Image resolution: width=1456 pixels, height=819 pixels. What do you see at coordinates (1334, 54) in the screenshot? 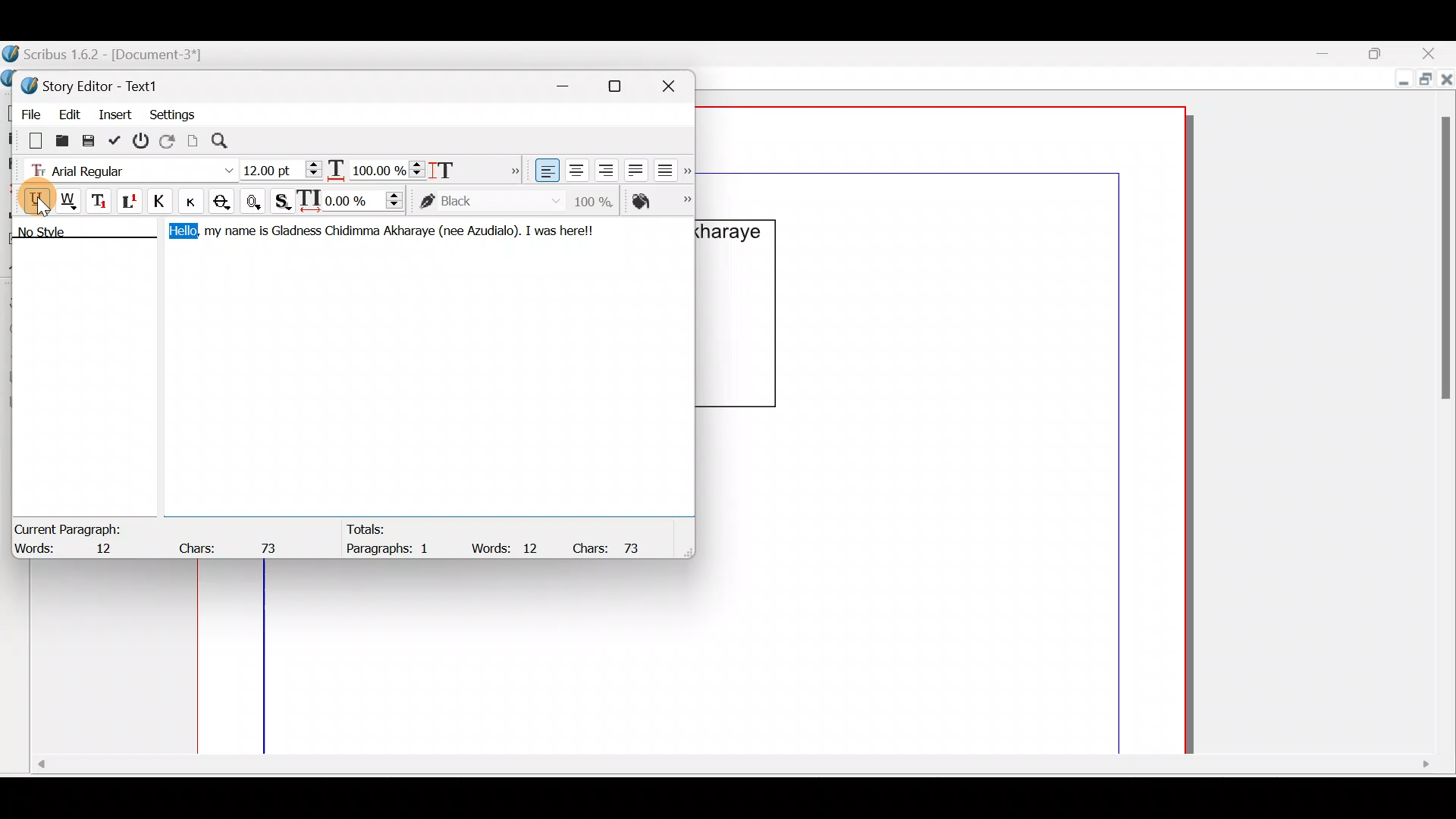
I see `Minimize` at bounding box center [1334, 54].